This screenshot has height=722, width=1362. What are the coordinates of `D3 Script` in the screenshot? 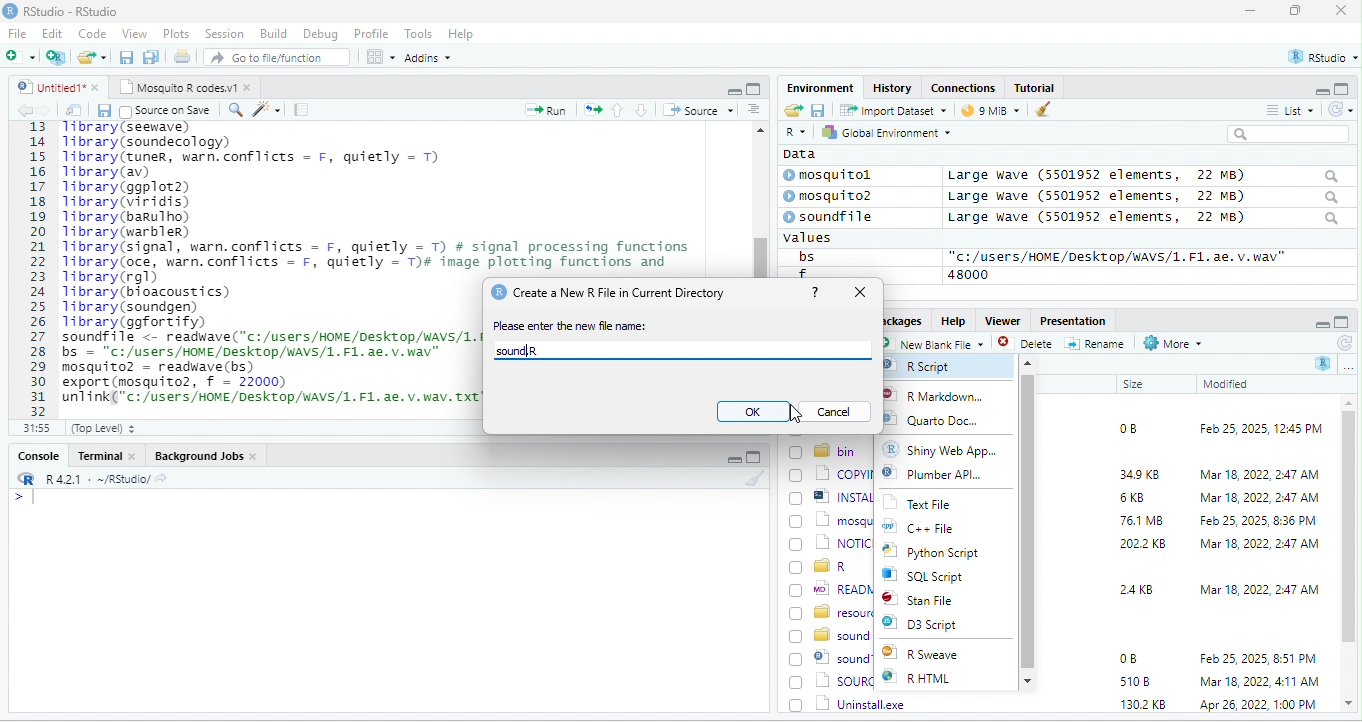 It's located at (938, 627).